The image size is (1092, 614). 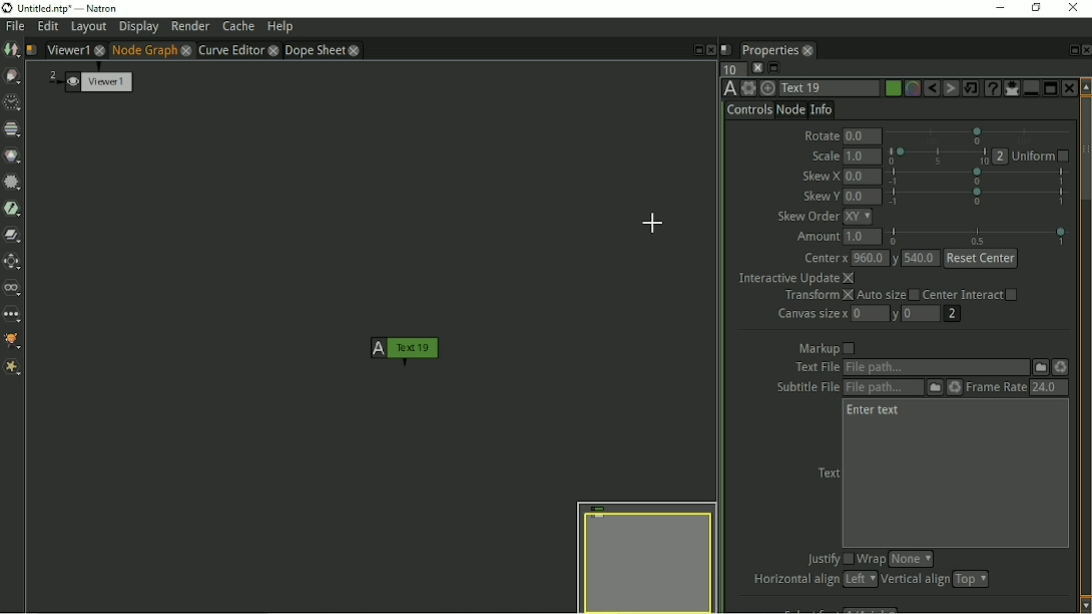 What do you see at coordinates (14, 156) in the screenshot?
I see `Color` at bounding box center [14, 156].